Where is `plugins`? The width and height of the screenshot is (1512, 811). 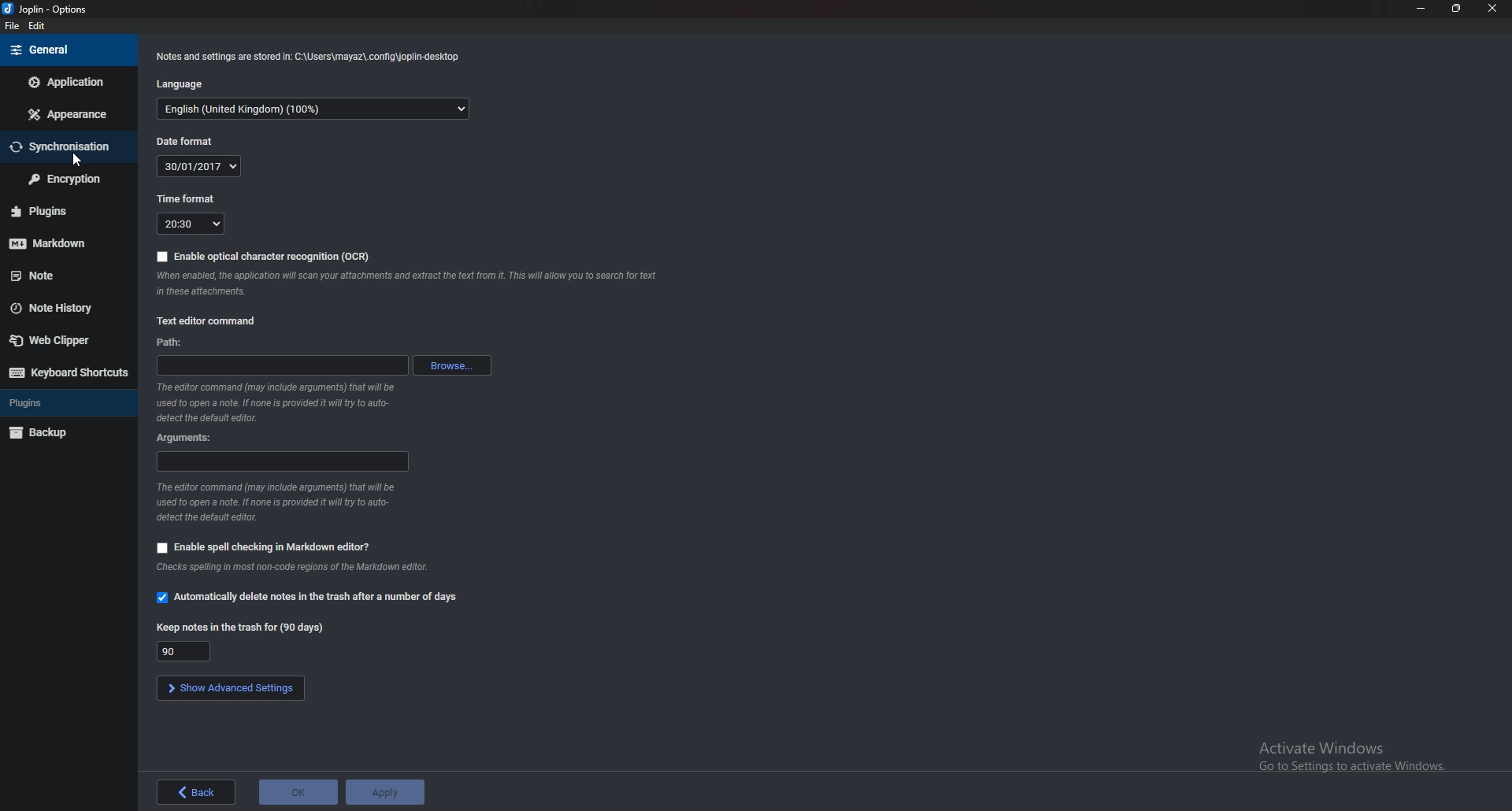 plugins is located at coordinates (64, 211).